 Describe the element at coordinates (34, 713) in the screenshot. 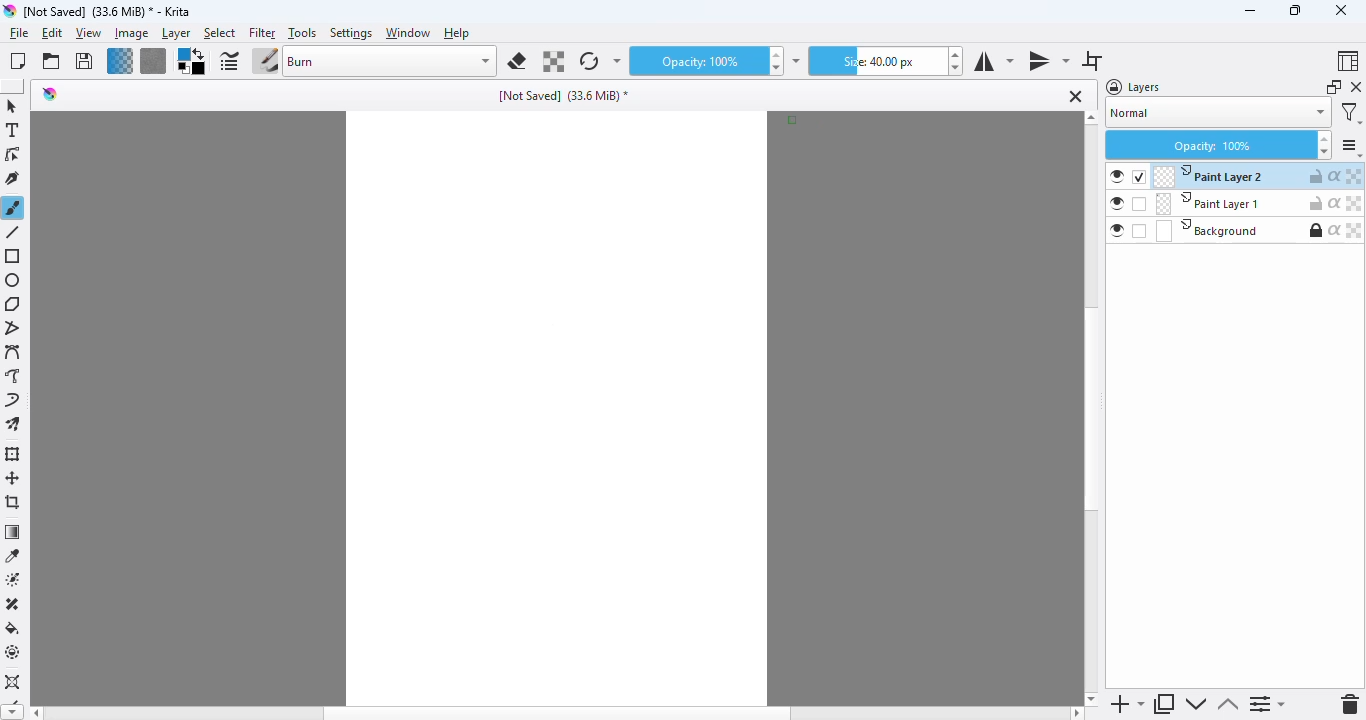

I see `scroll left` at that location.